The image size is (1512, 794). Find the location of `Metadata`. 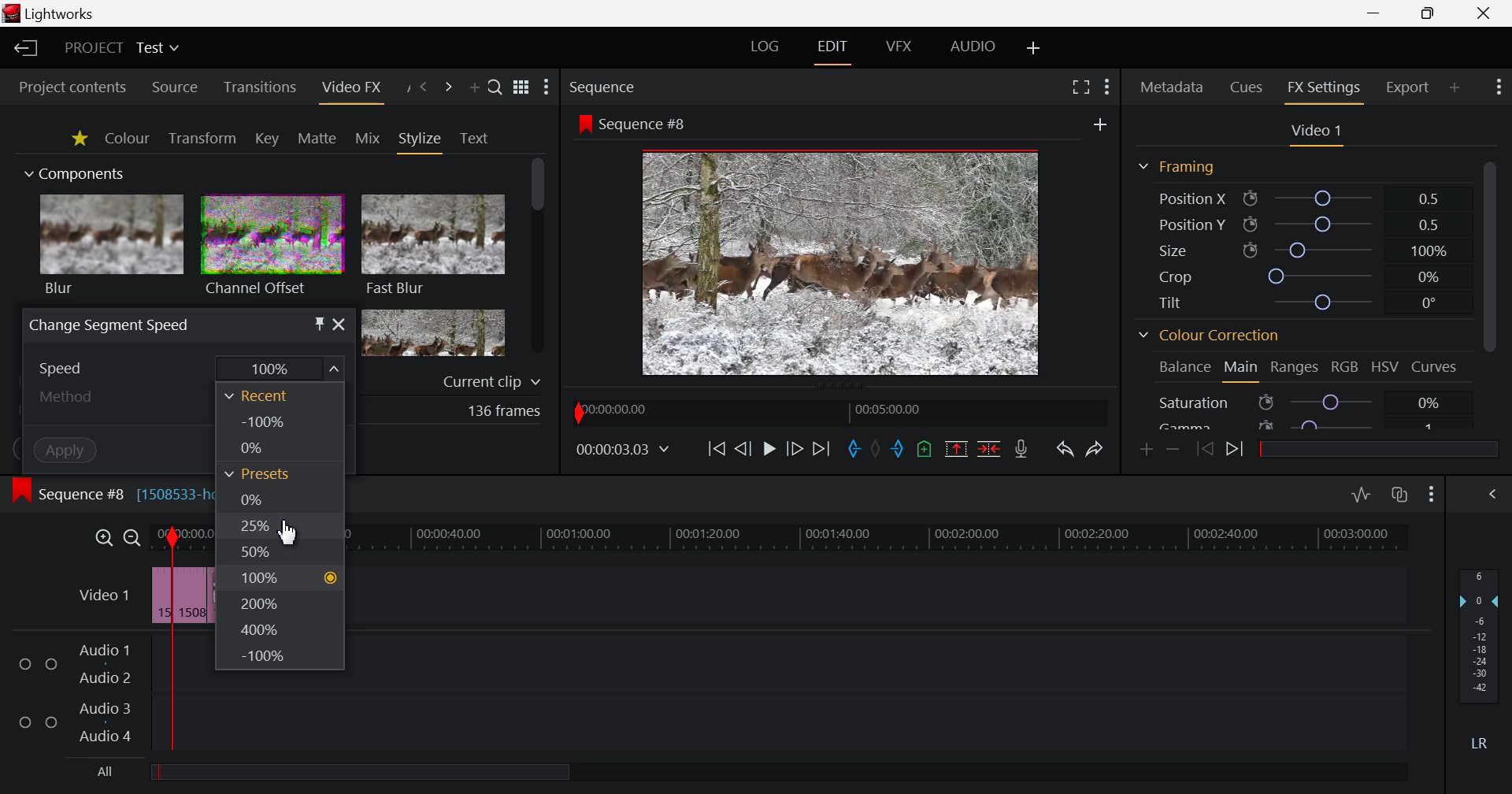

Metadata is located at coordinates (1170, 88).